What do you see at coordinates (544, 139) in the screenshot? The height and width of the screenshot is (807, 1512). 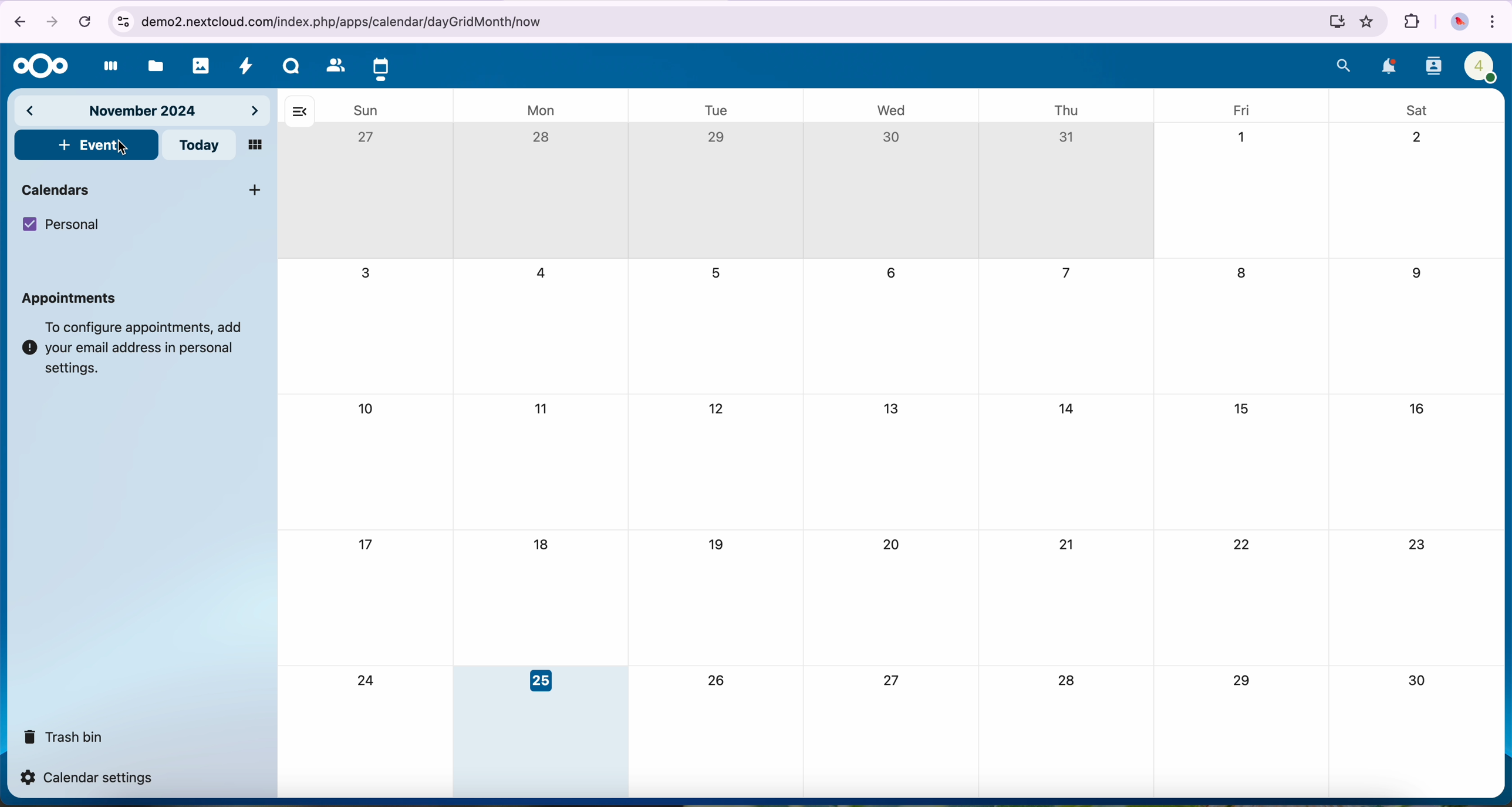 I see `28` at bounding box center [544, 139].